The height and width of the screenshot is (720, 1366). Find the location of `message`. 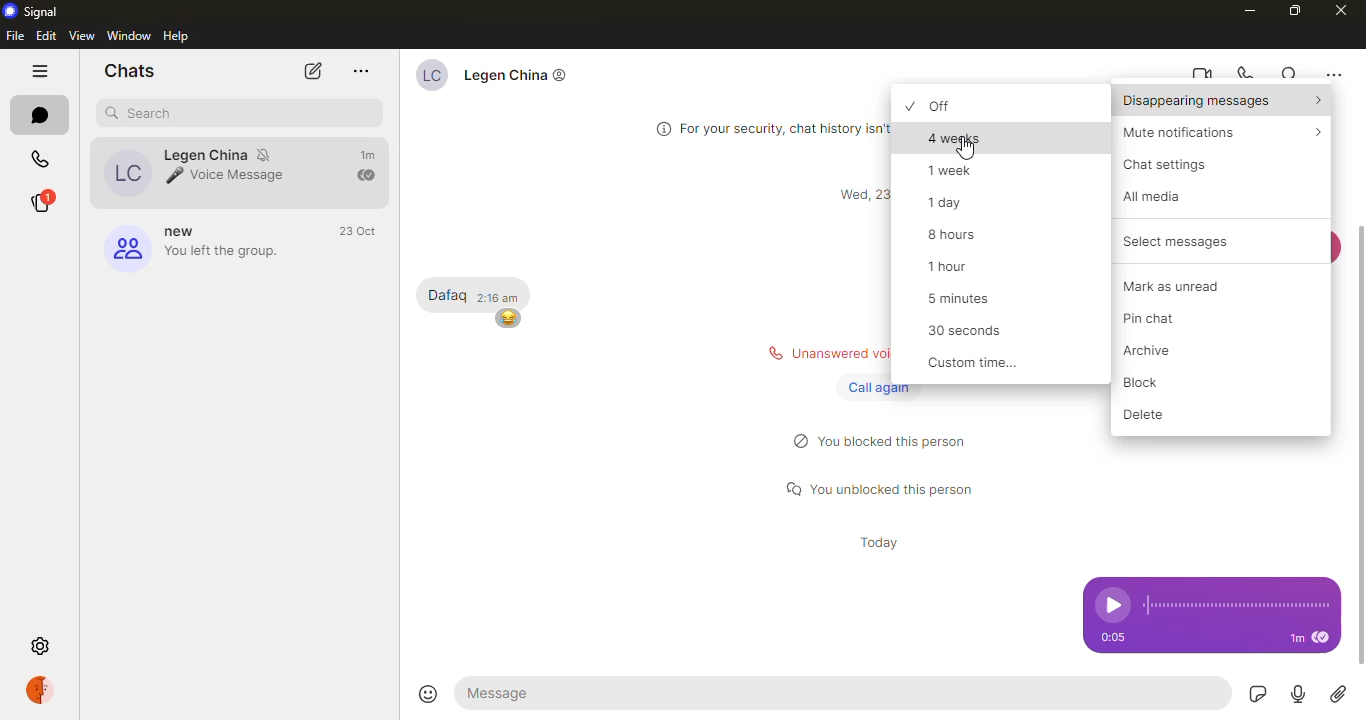

message is located at coordinates (447, 296).